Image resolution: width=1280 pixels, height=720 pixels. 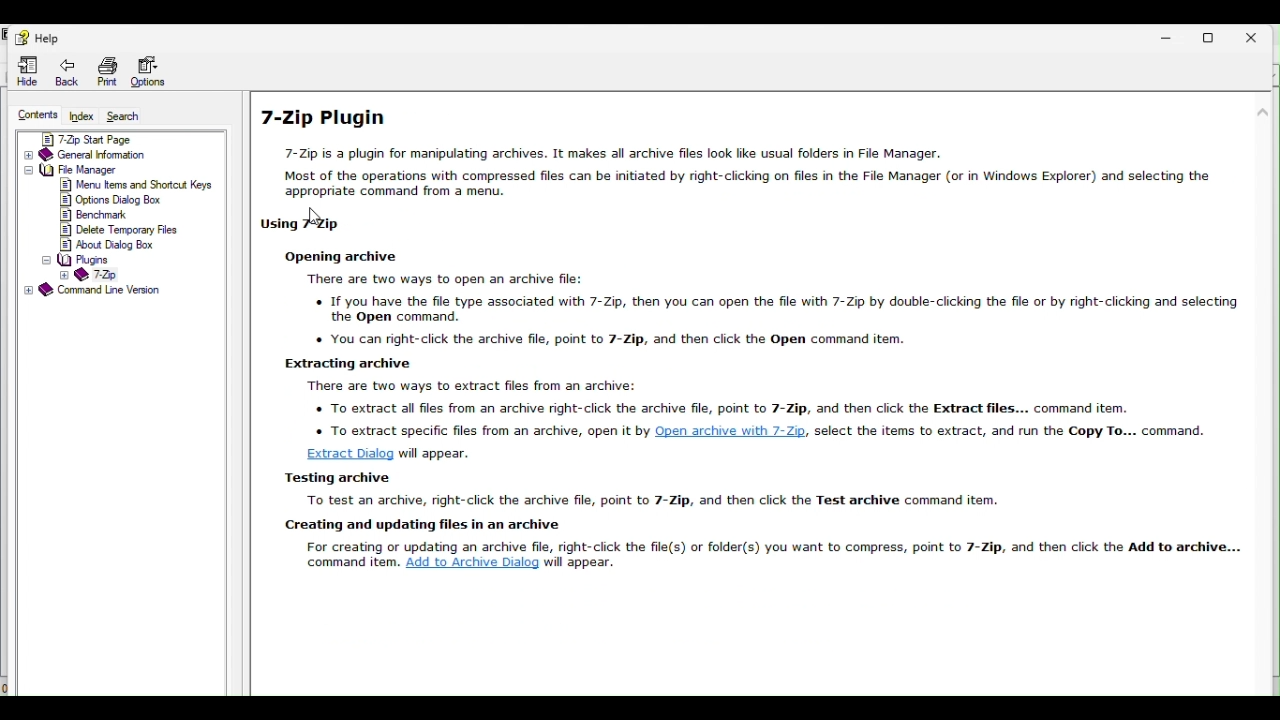 What do you see at coordinates (113, 246) in the screenshot?
I see `about dialog box` at bounding box center [113, 246].